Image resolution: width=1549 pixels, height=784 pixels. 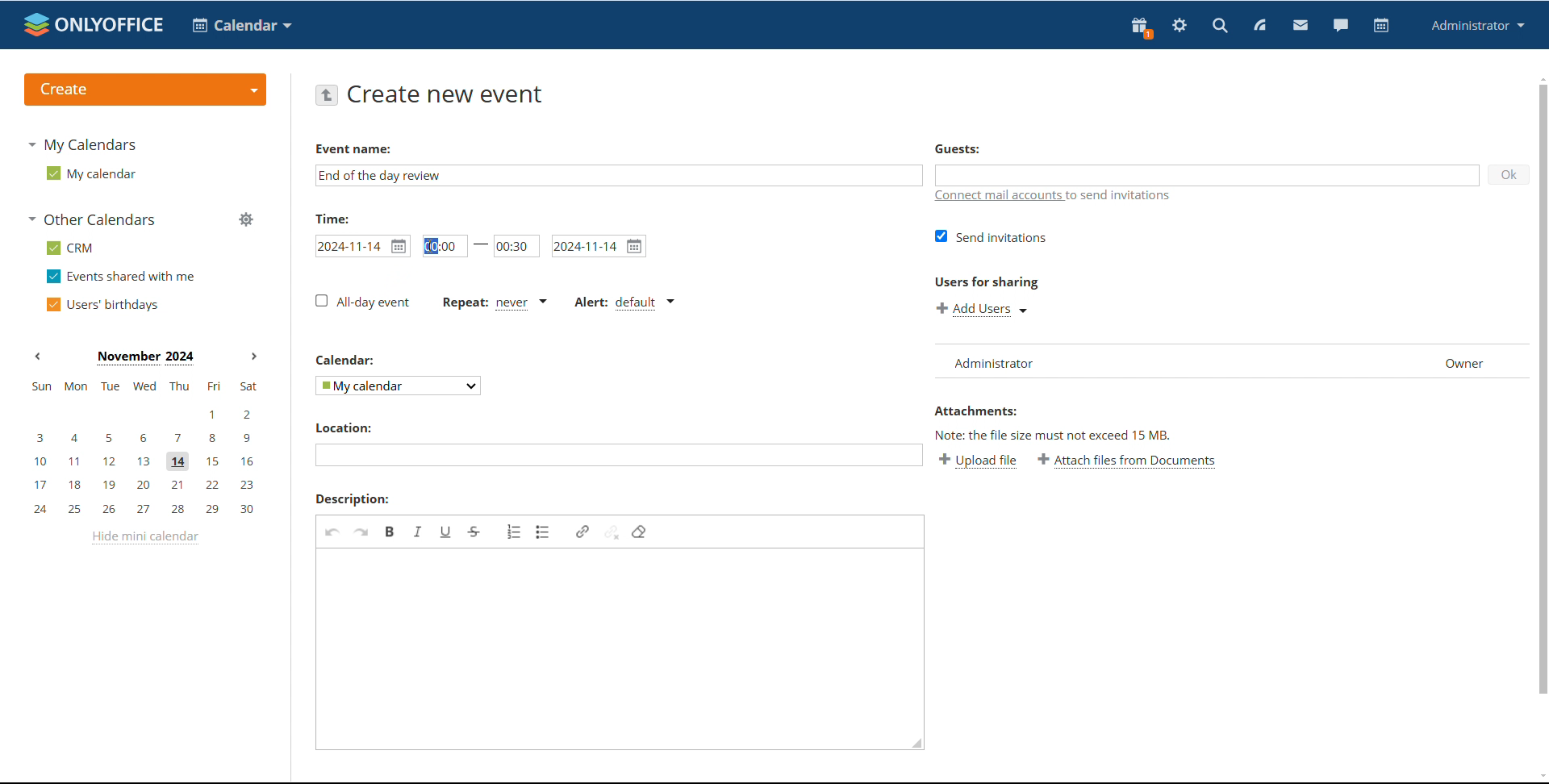 What do you see at coordinates (362, 246) in the screenshot?
I see `set start date` at bounding box center [362, 246].